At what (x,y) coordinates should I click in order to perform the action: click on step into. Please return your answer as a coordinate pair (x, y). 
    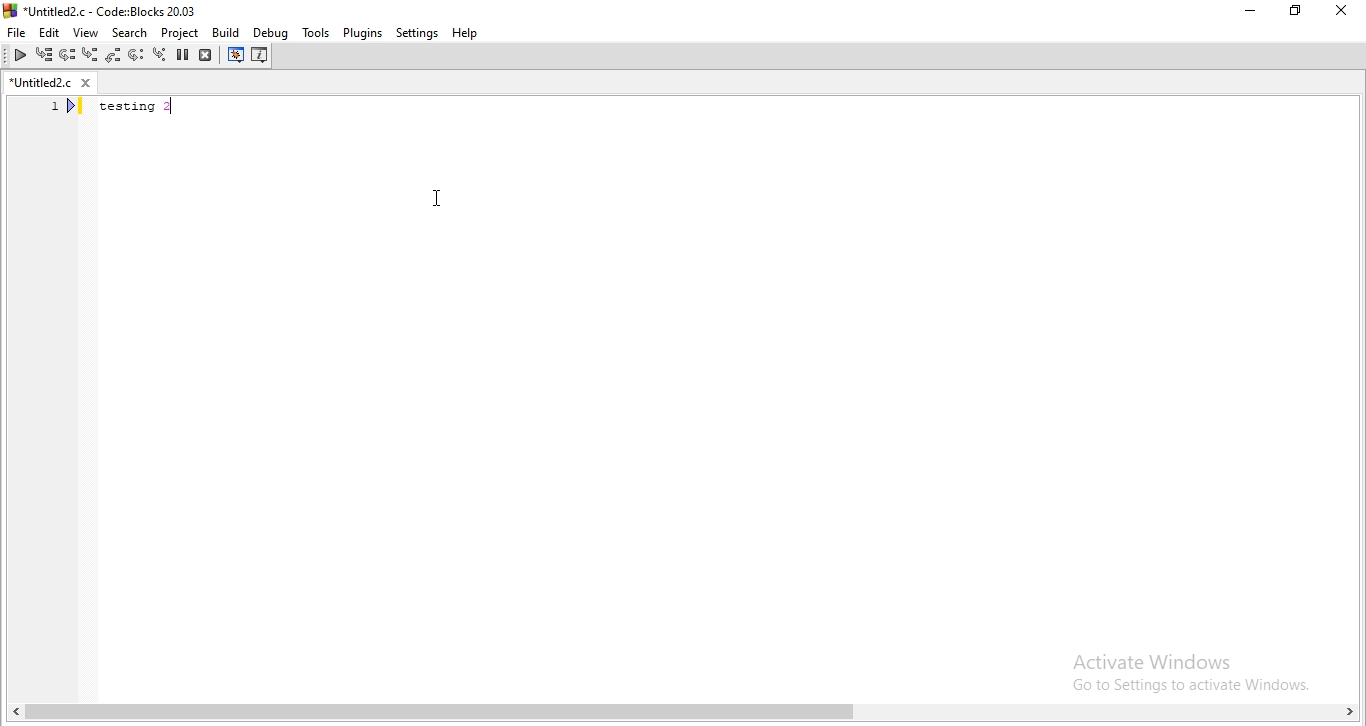
    Looking at the image, I should click on (70, 57).